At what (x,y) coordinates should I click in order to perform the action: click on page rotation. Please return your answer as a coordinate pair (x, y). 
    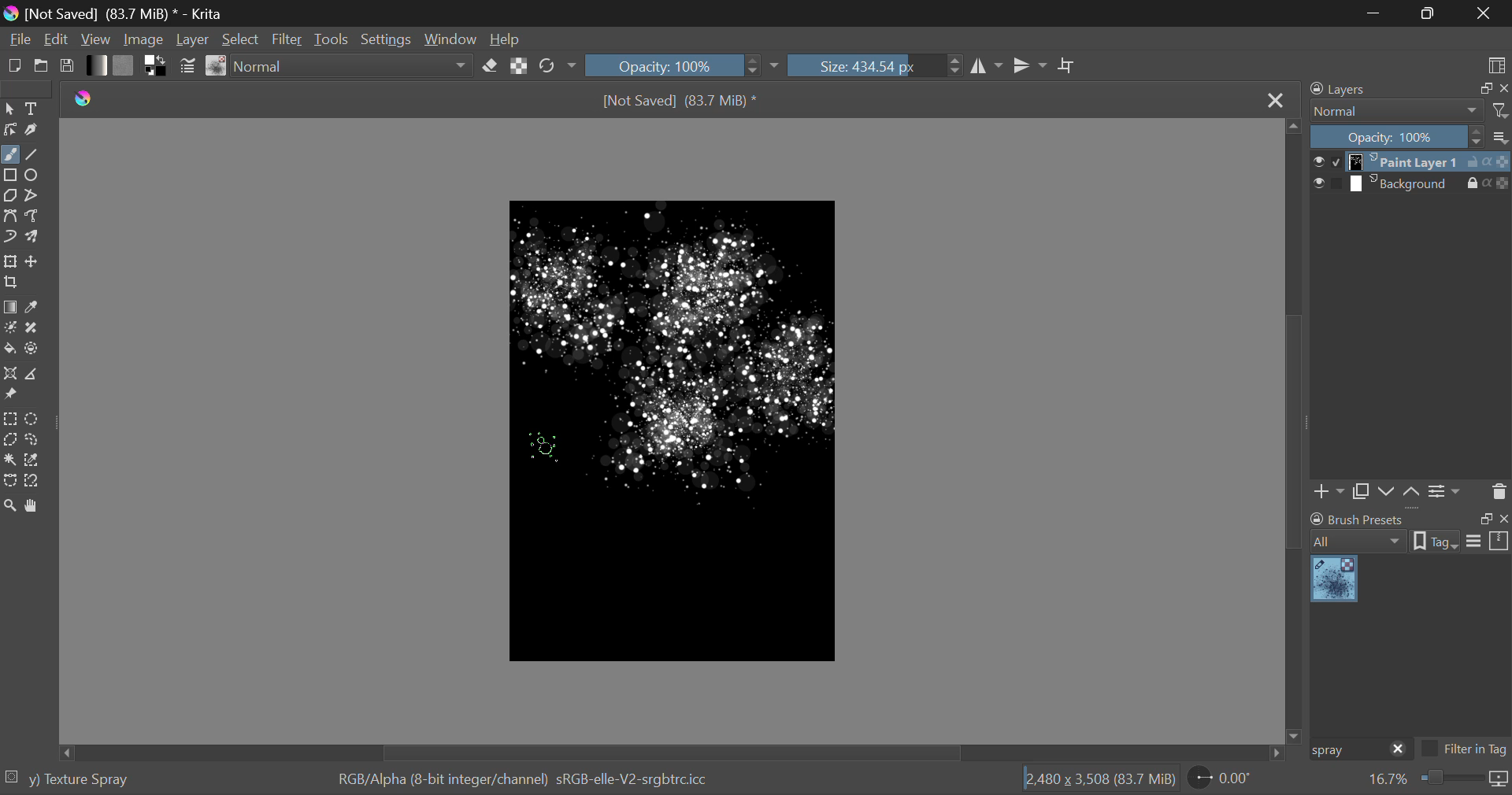
    Looking at the image, I should click on (1221, 777).